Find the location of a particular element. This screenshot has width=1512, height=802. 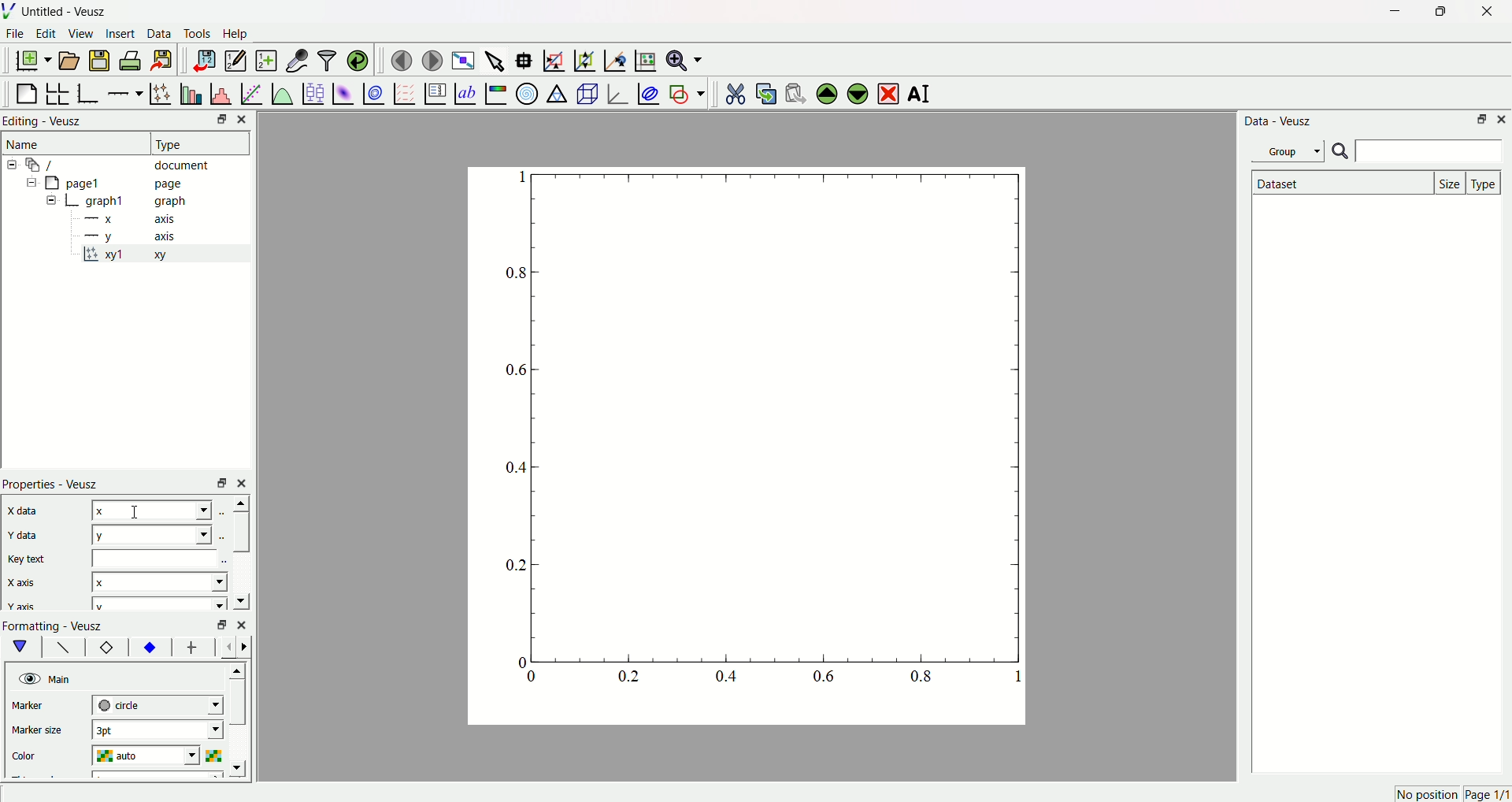

new document is located at coordinates (35, 61).